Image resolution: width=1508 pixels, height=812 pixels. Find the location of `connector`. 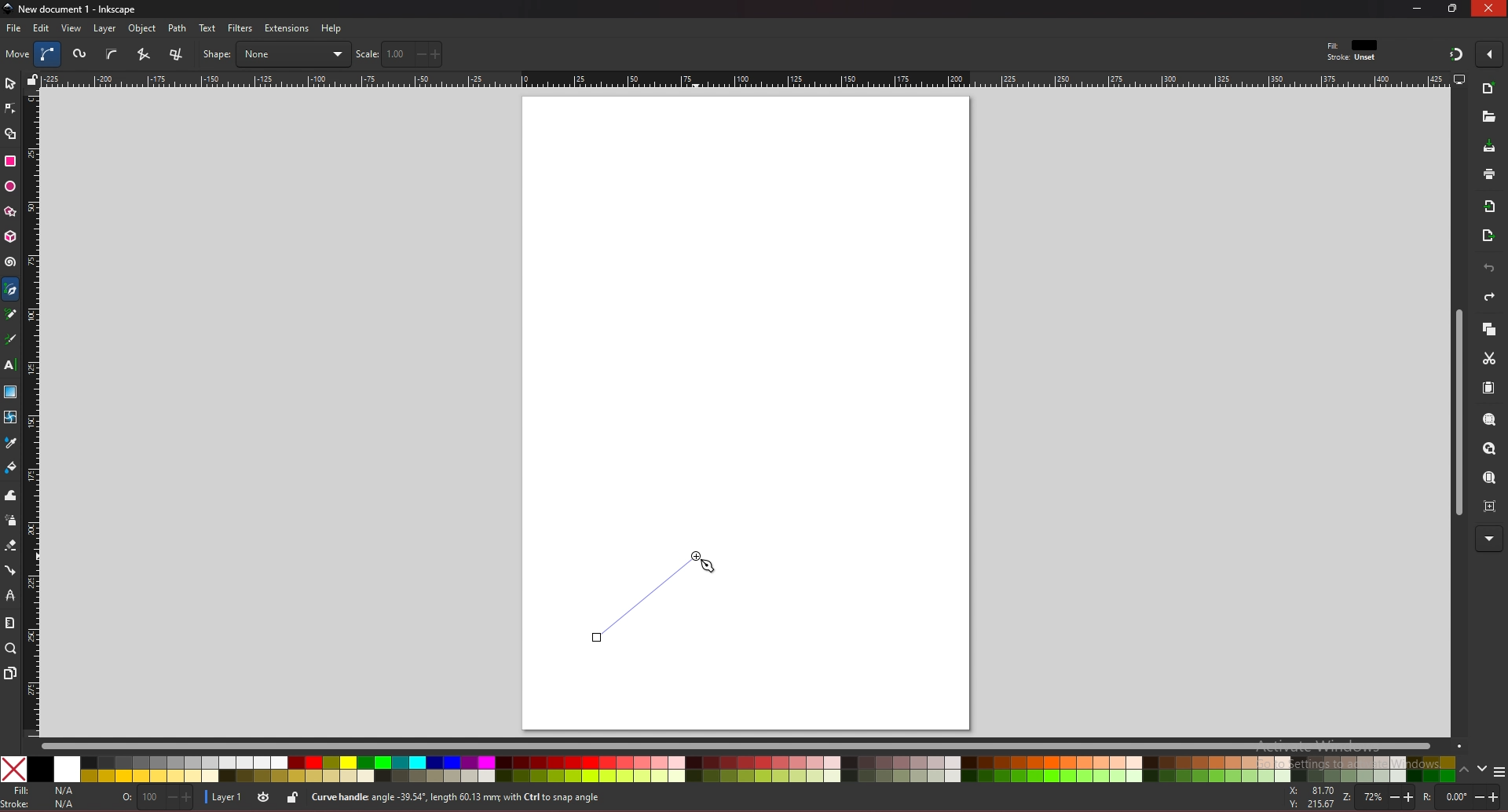

connector is located at coordinates (11, 571).